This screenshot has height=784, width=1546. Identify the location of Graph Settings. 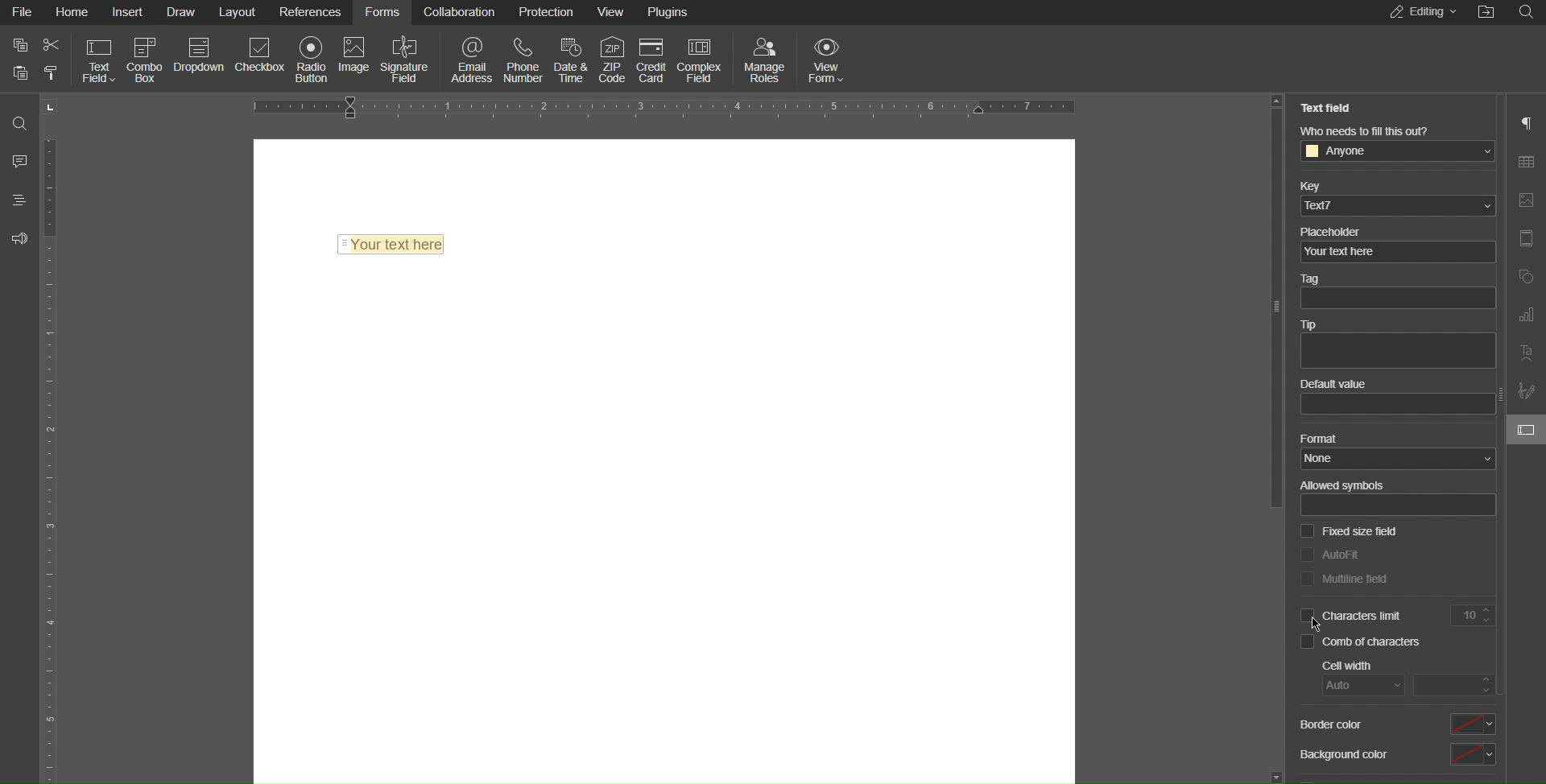
(1525, 316).